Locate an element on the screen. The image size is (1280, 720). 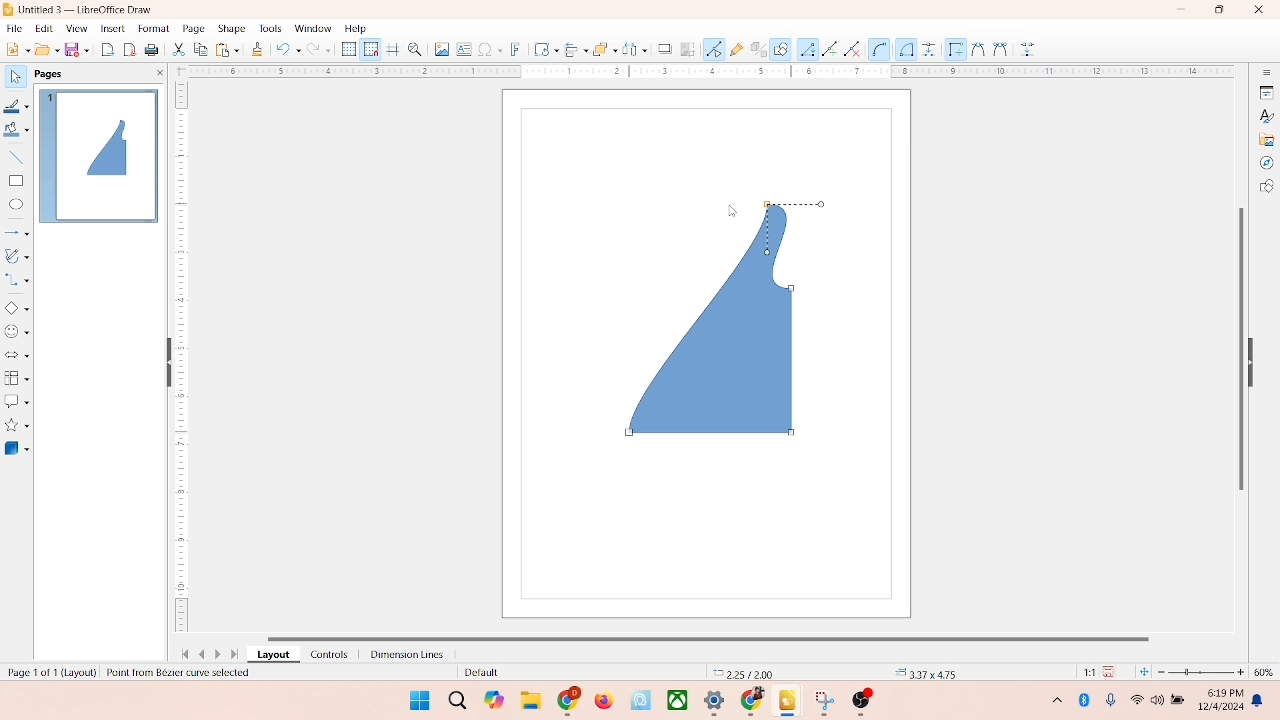
Combine tool is located at coordinates (999, 48).